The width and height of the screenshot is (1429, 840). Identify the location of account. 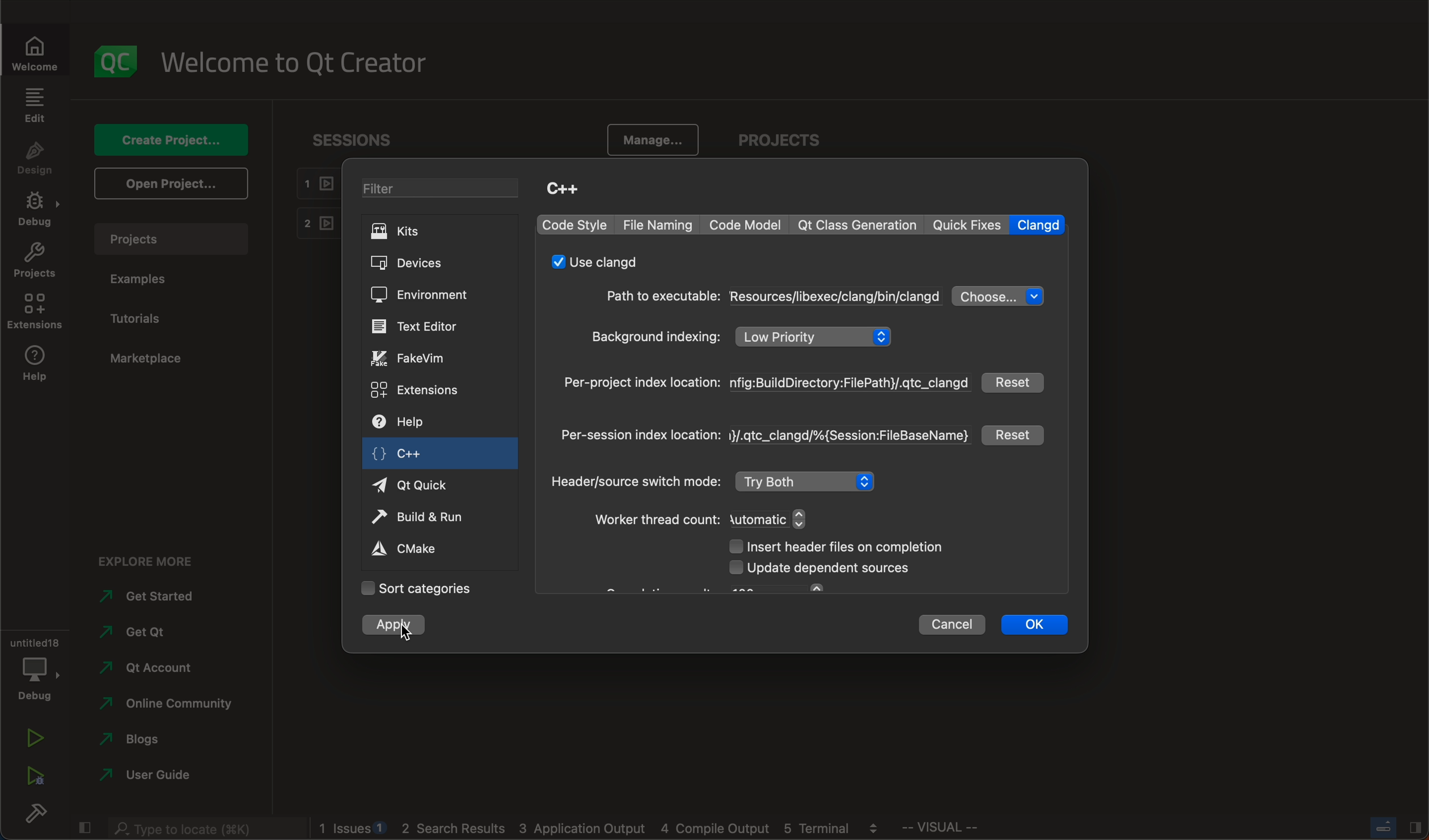
(153, 667).